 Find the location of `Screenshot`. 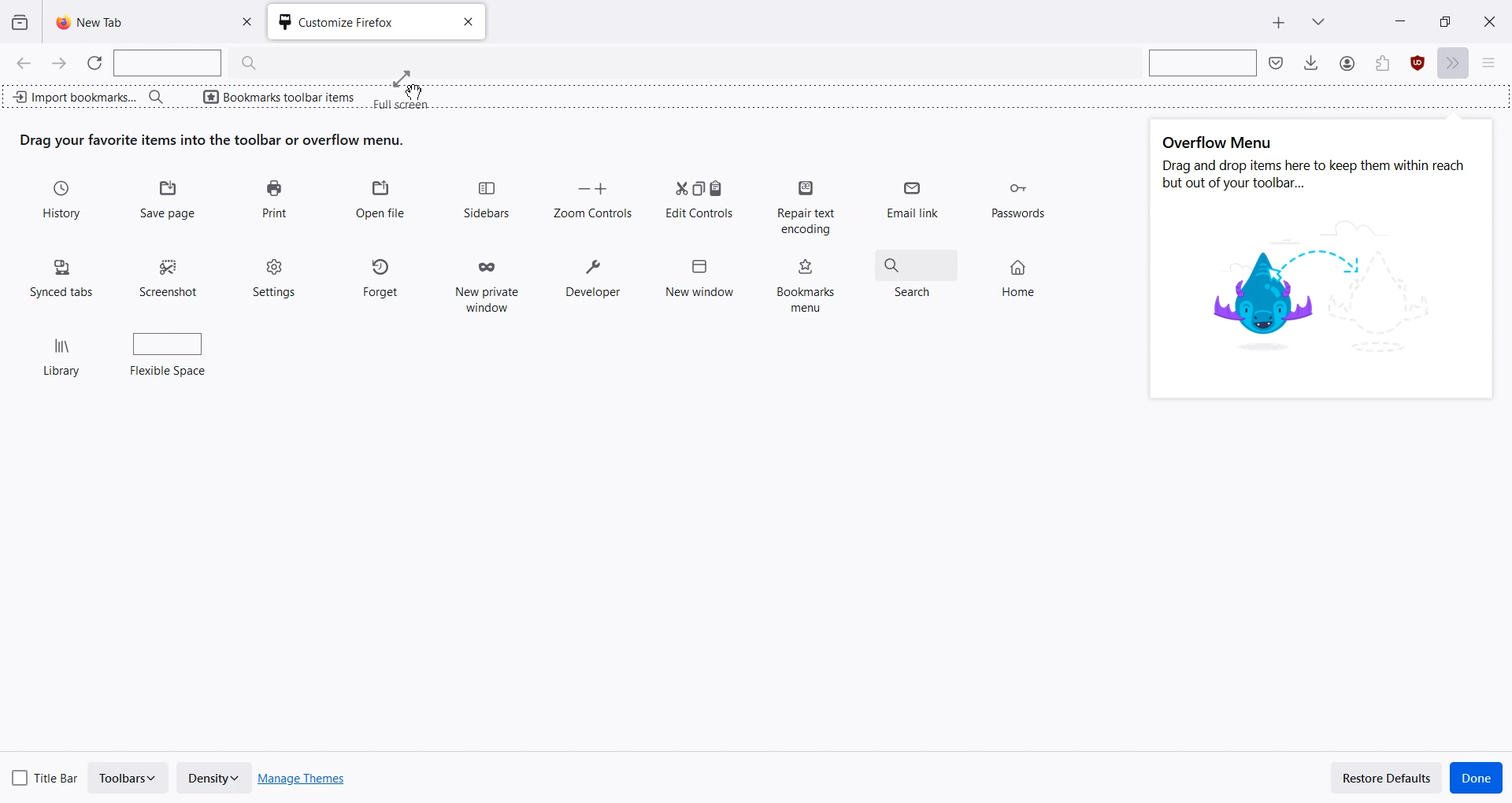

Screenshot is located at coordinates (171, 273).